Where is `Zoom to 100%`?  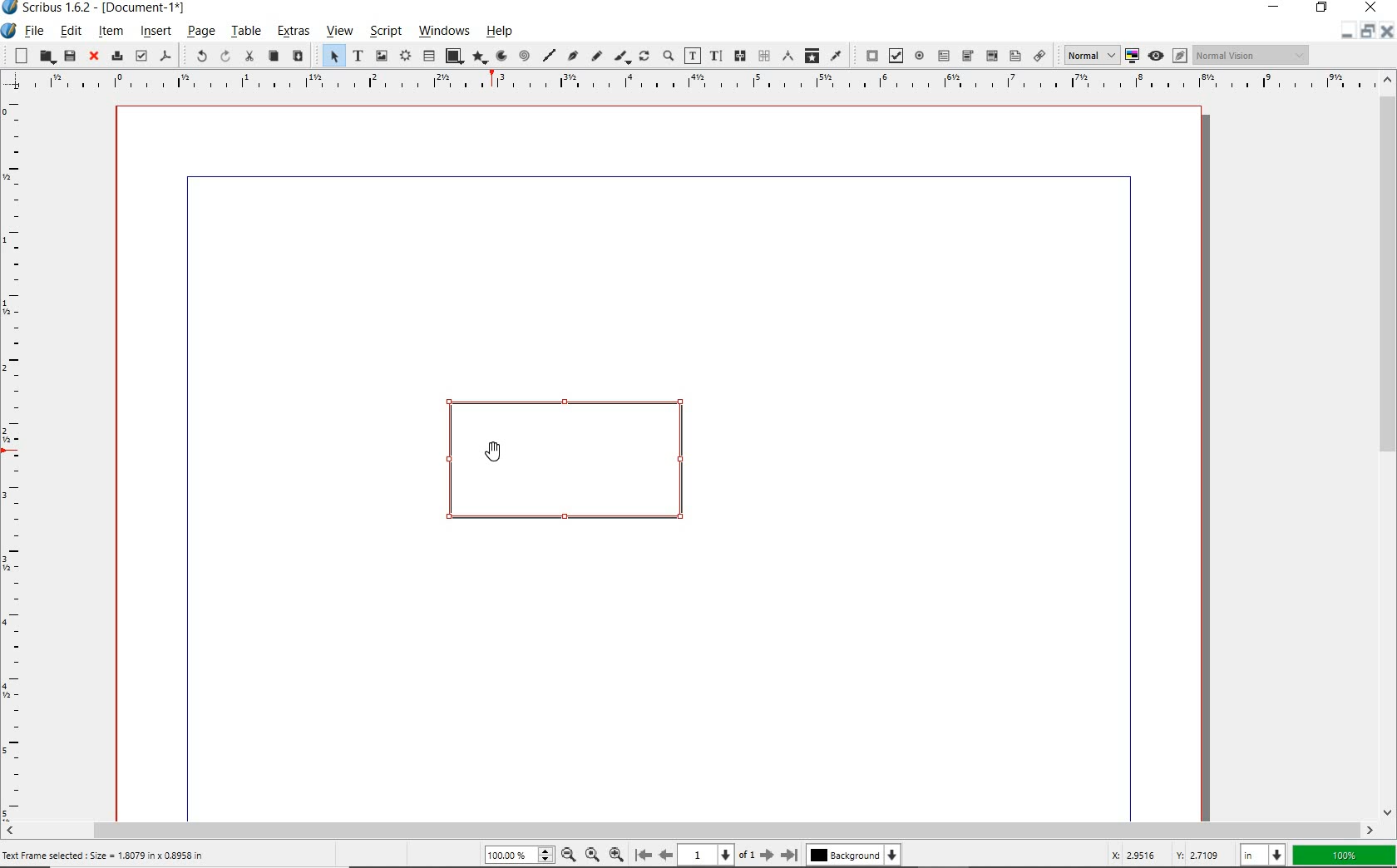
Zoom to 100% is located at coordinates (593, 856).